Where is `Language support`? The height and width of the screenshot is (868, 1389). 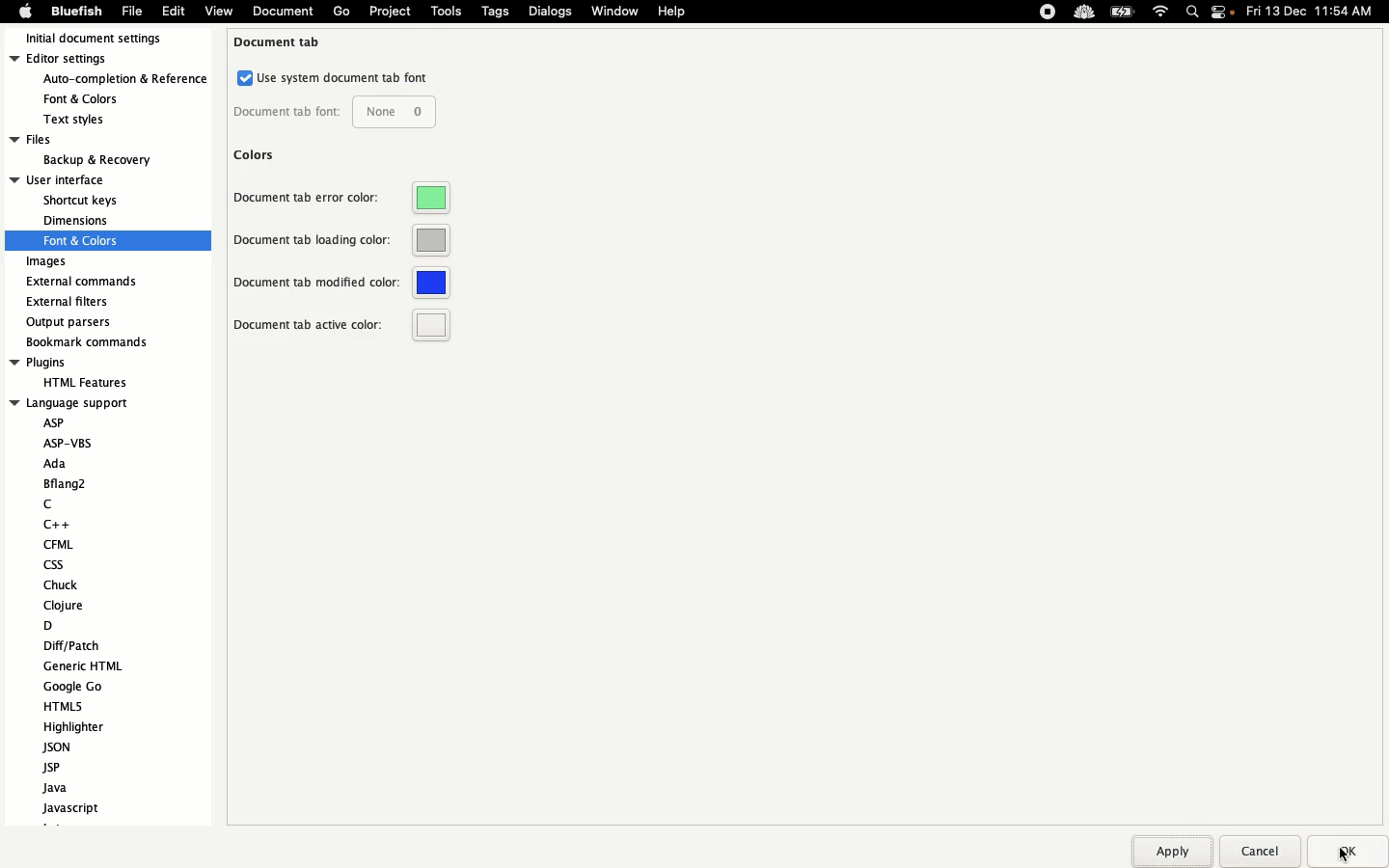
Language support is located at coordinates (94, 615).